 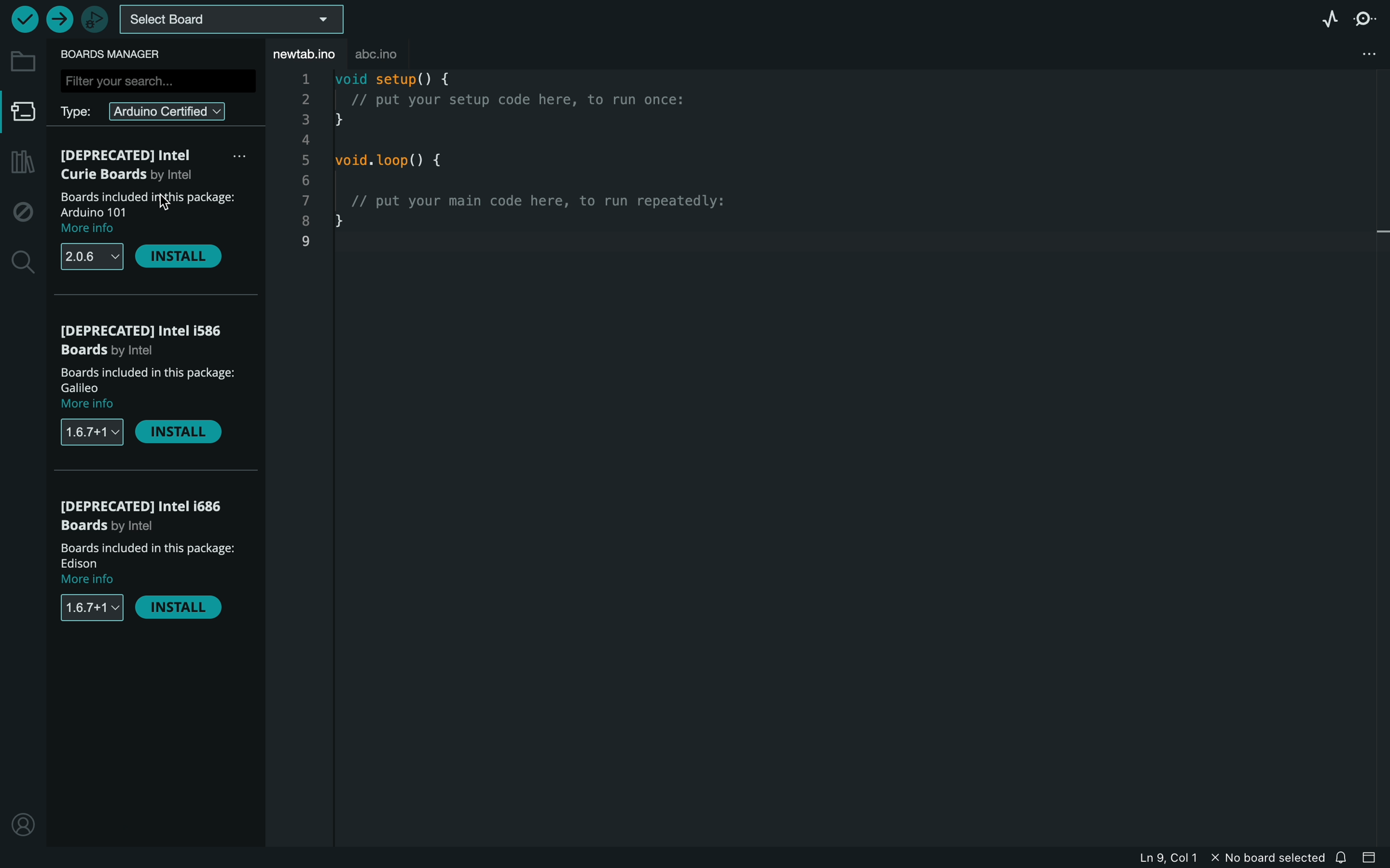 I want to click on code, so click(x=535, y=167).